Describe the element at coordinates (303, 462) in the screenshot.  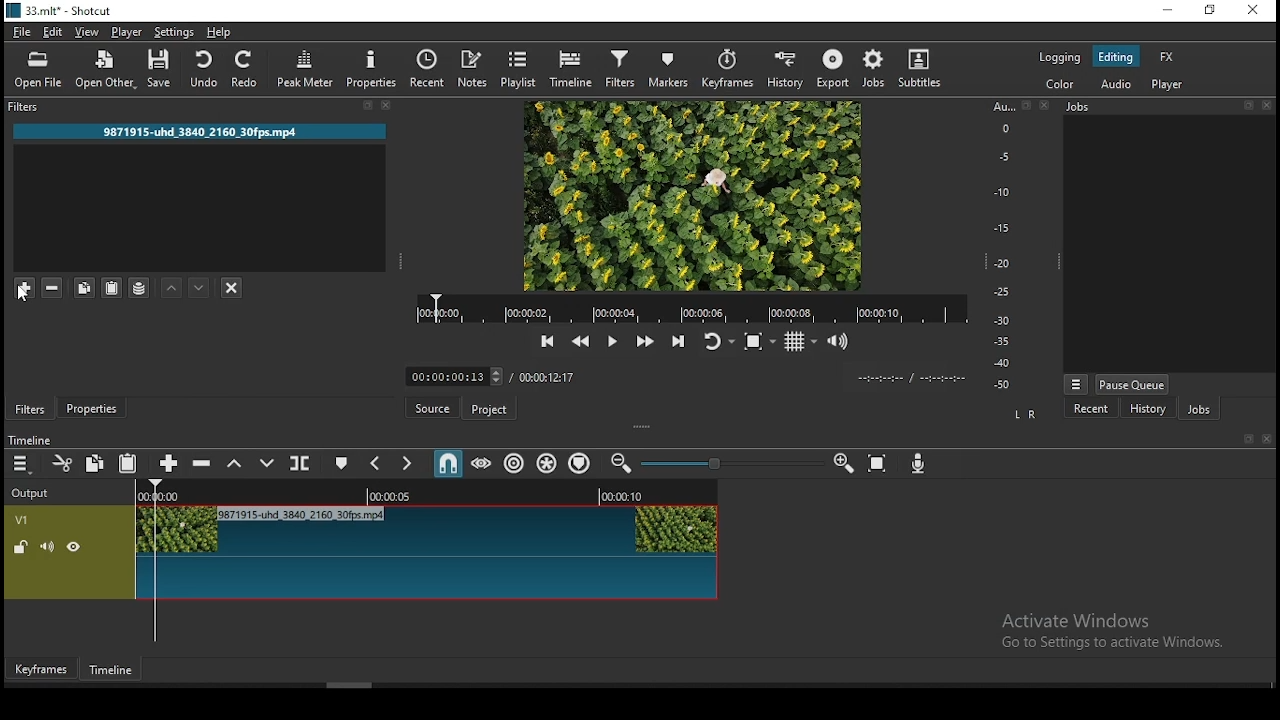
I see `split at playhead` at that location.